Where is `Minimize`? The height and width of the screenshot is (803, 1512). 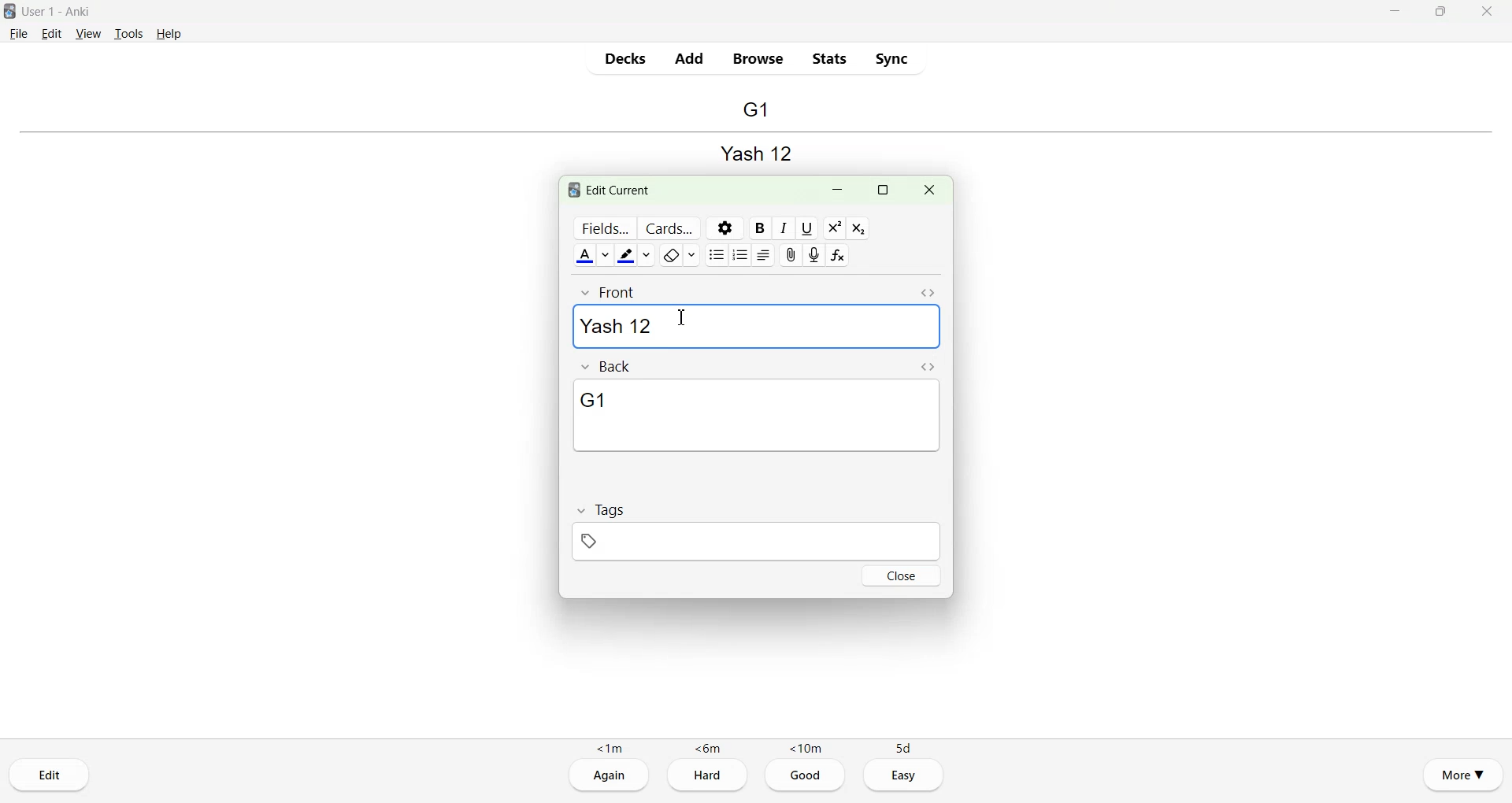 Minimize is located at coordinates (839, 191).